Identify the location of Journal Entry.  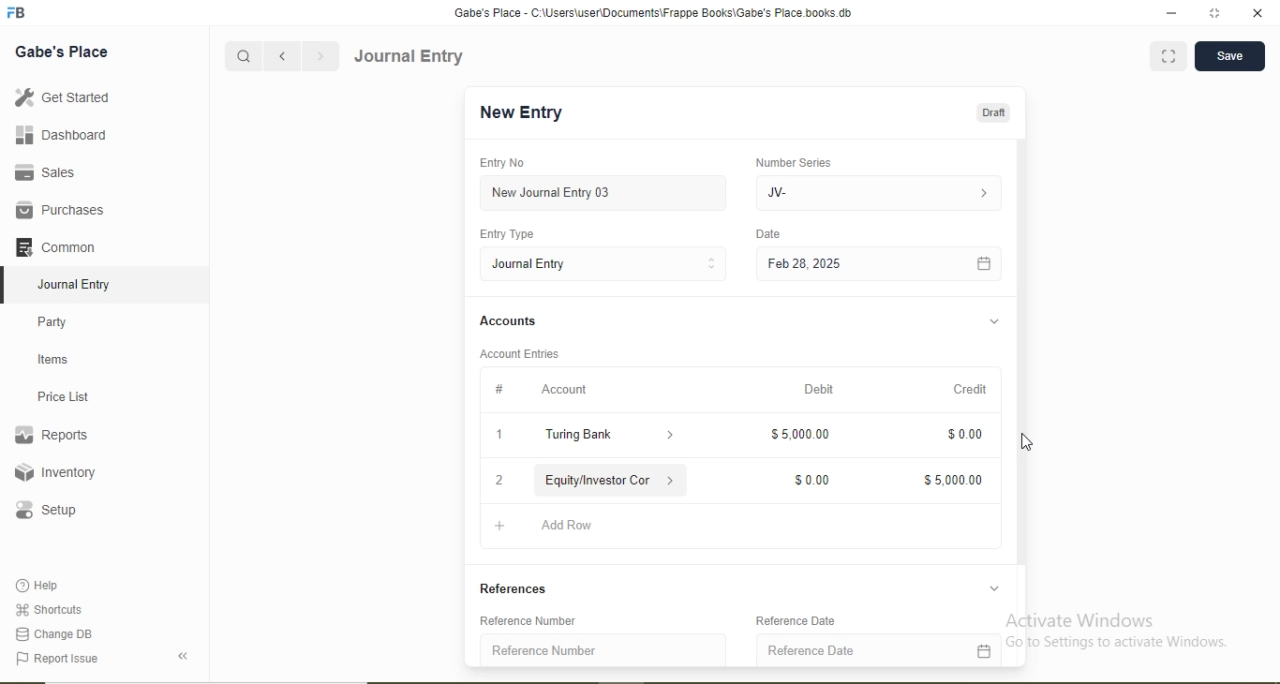
(410, 56).